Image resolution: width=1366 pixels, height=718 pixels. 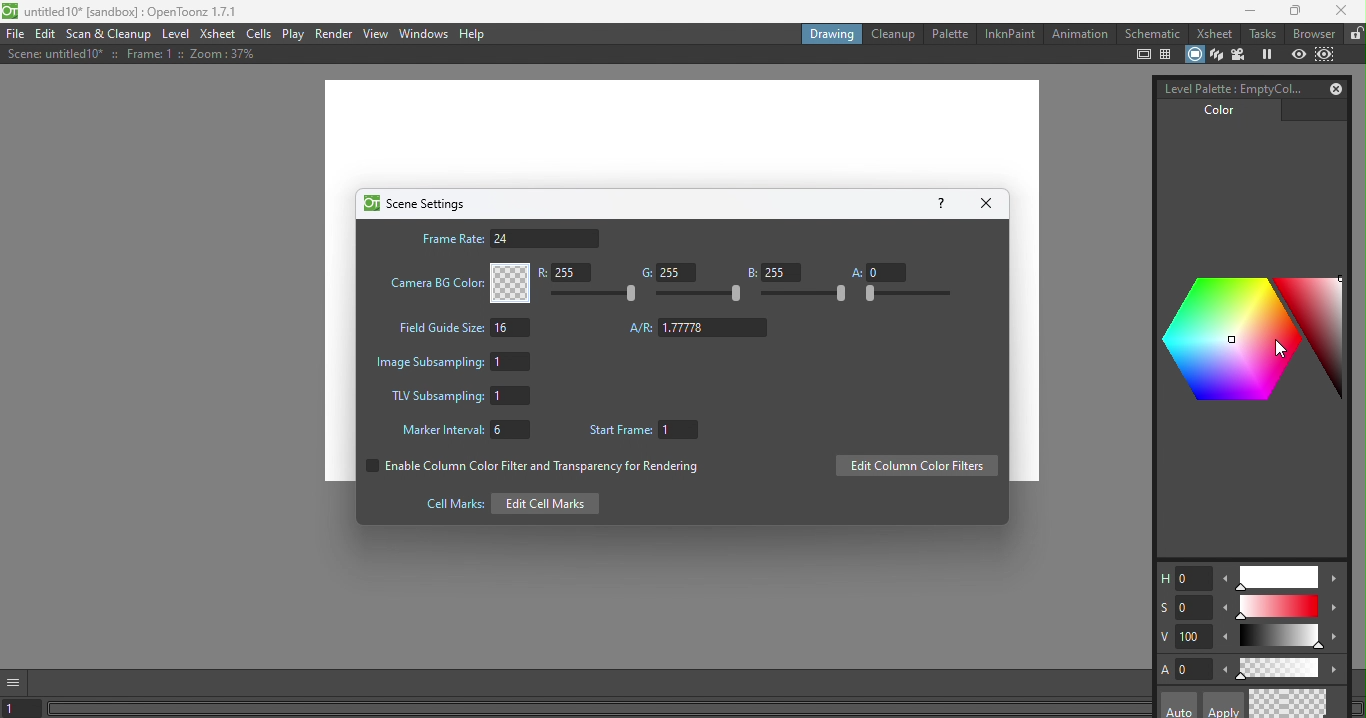 What do you see at coordinates (1326, 53) in the screenshot?
I see `Sub-camera preview` at bounding box center [1326, 53].